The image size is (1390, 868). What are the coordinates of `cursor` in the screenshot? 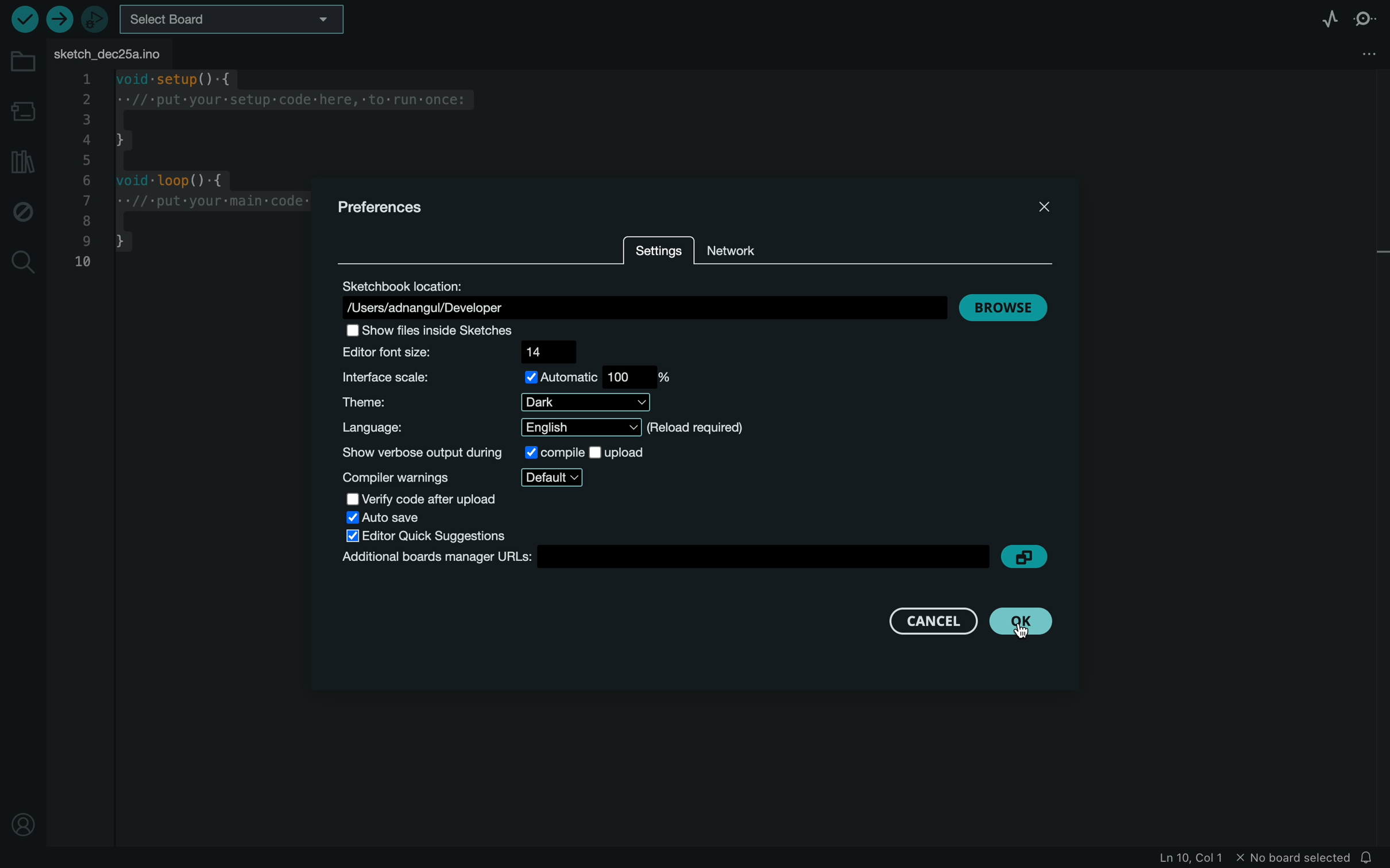 It's located at (1025, 626).